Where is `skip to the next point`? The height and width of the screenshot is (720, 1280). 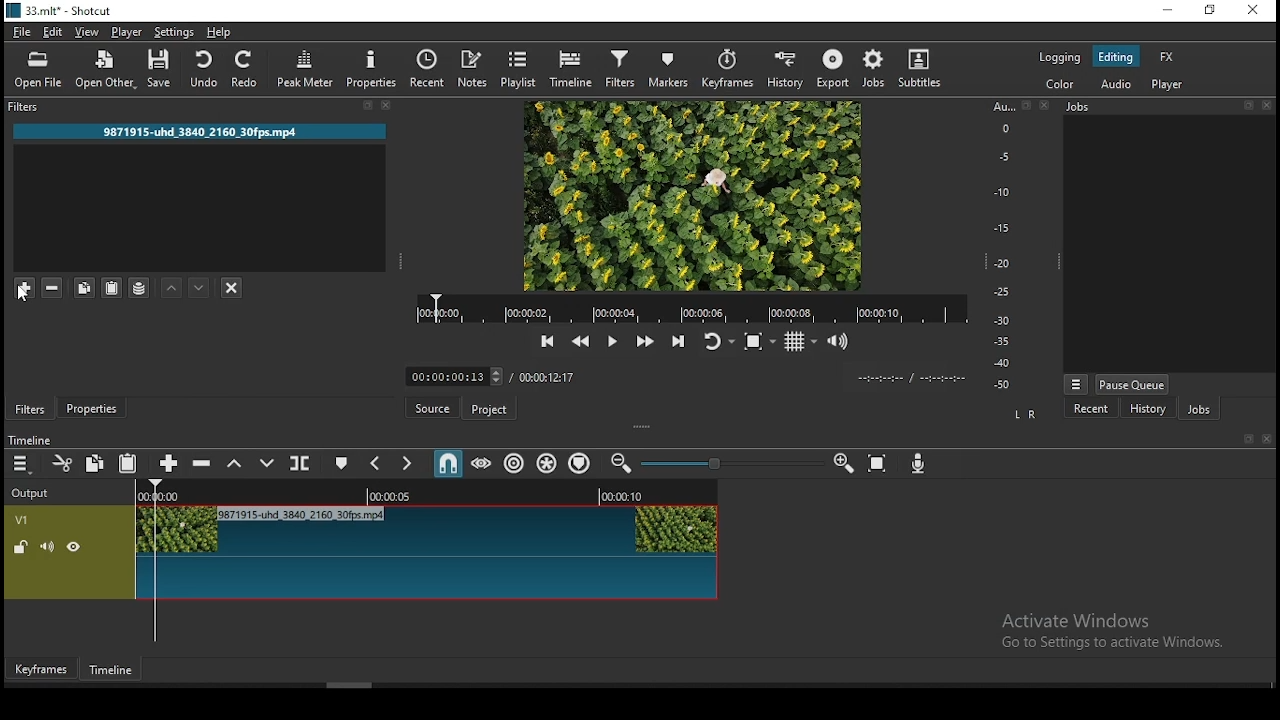 skip to the next point is located at coordinates (677, 340).